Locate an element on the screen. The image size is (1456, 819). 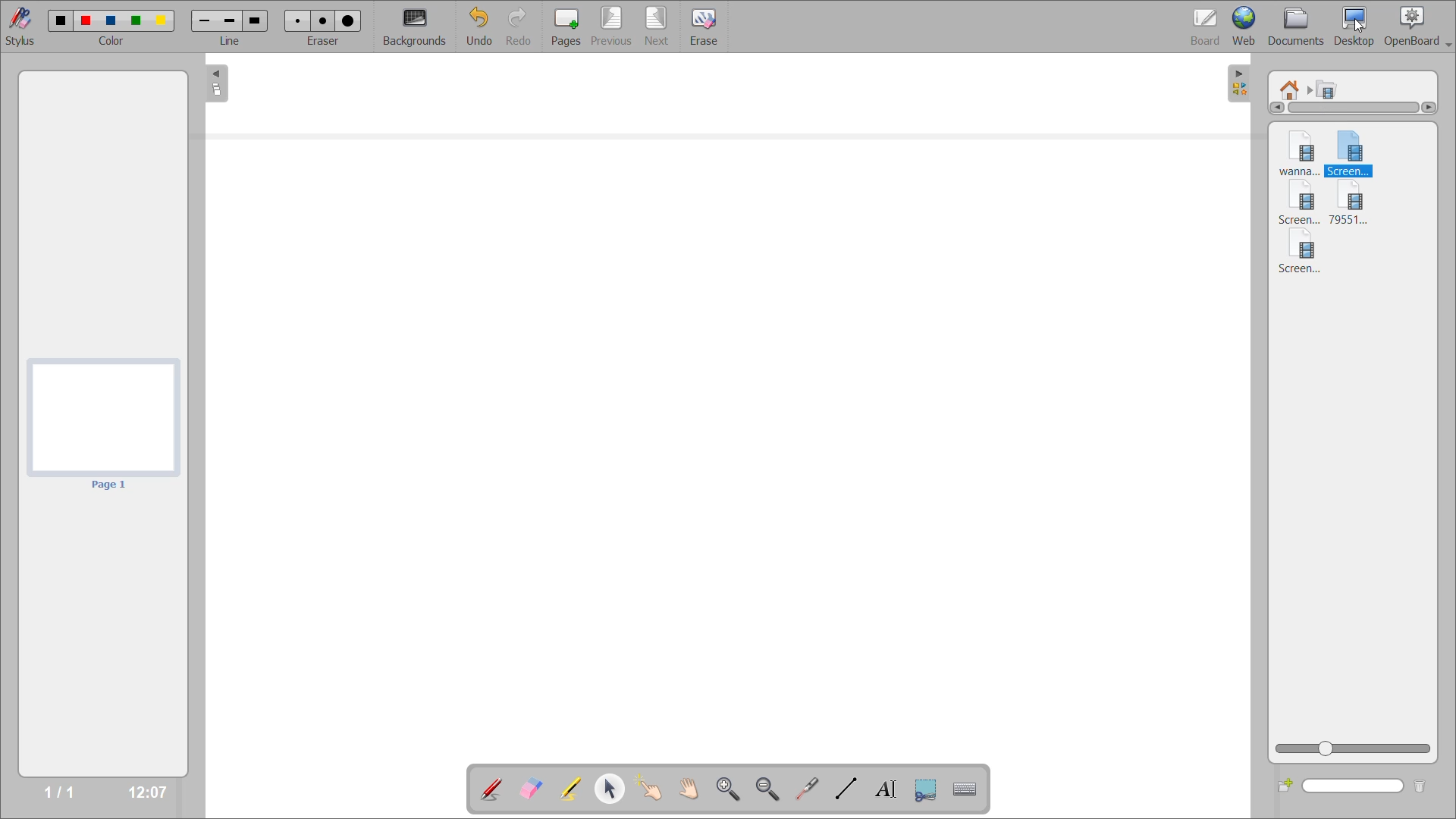
12:07 is located at coordinates (142, 790).